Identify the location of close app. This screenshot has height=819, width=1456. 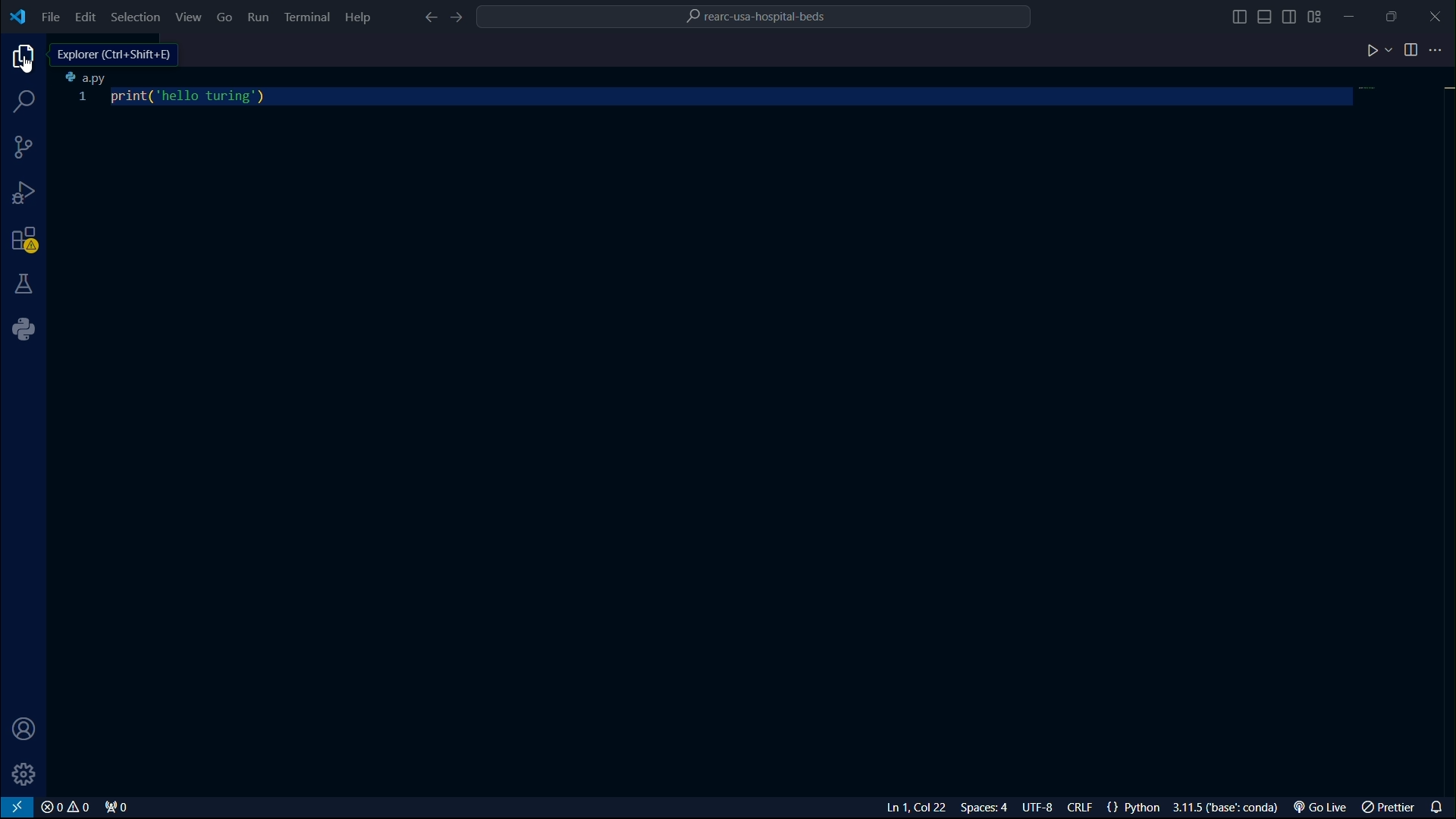
(1438, 15).